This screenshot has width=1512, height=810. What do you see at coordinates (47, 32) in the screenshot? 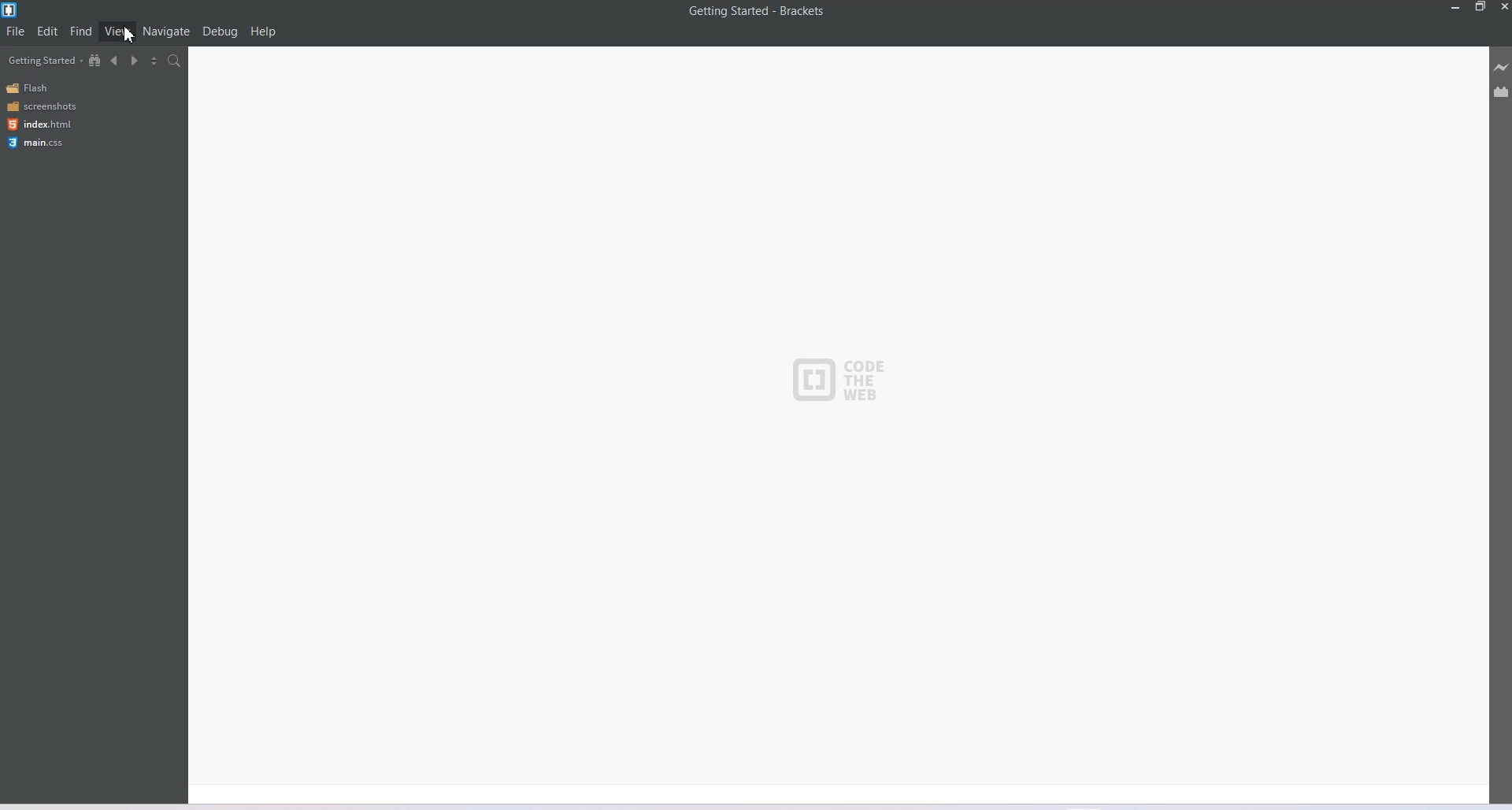
I see `Edit` at bounding box center [47, 32].